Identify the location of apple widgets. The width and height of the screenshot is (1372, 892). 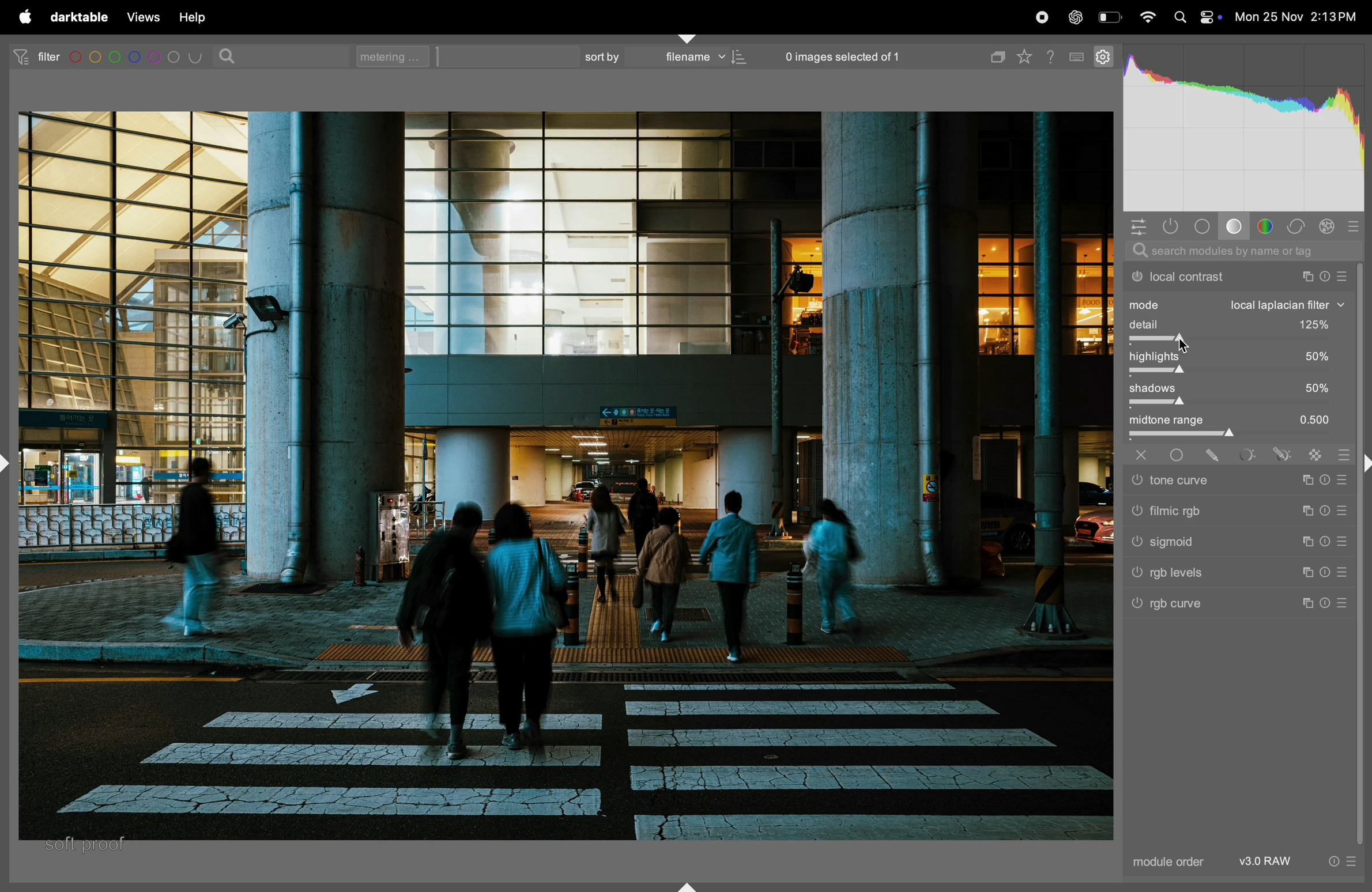
(1210, 17).